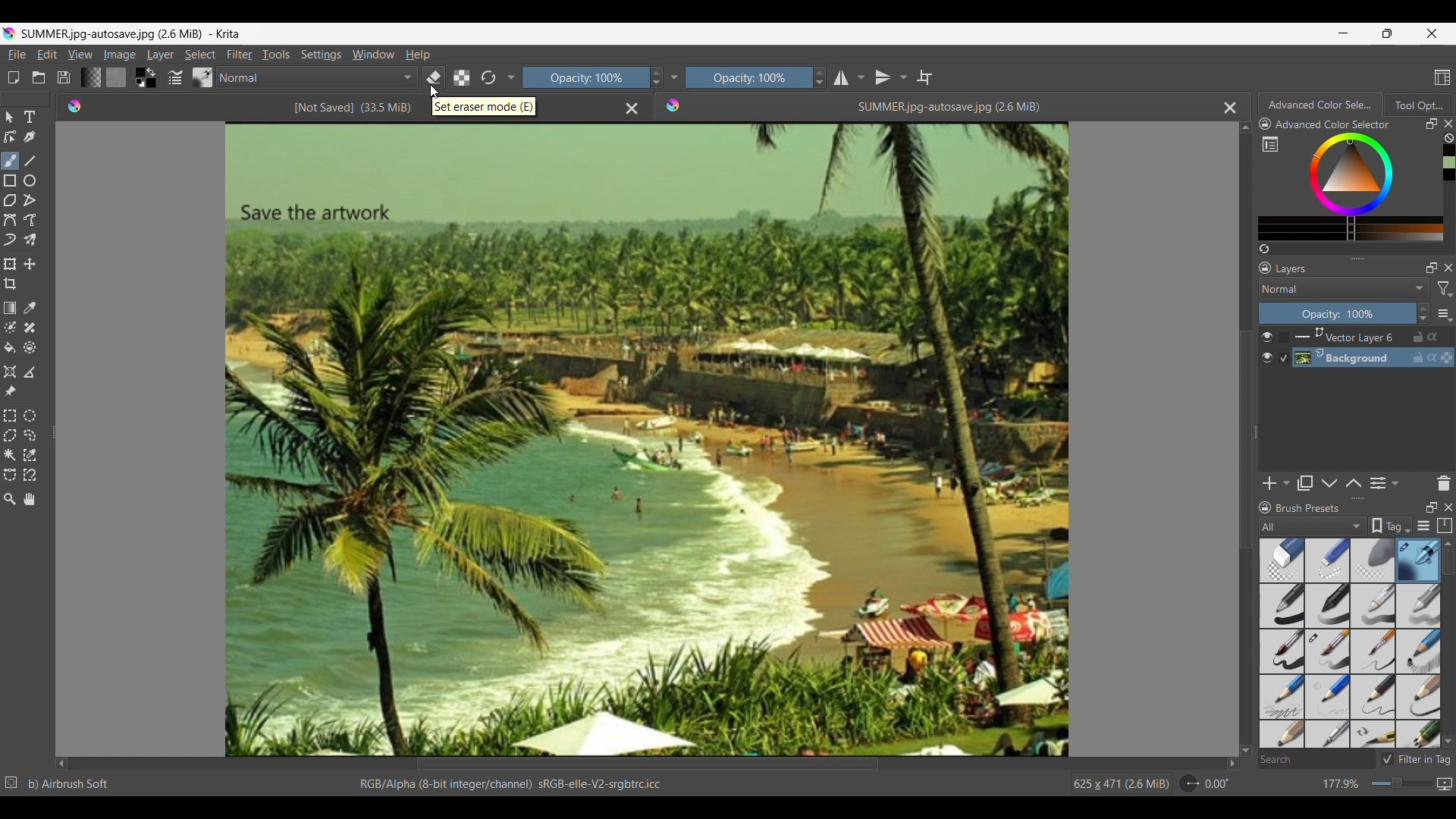 This screenshot has height=819, width=1456. Describe the element at coordinates (11, 264) in the screenshot. I see `Transform a layer or selection` at that location.